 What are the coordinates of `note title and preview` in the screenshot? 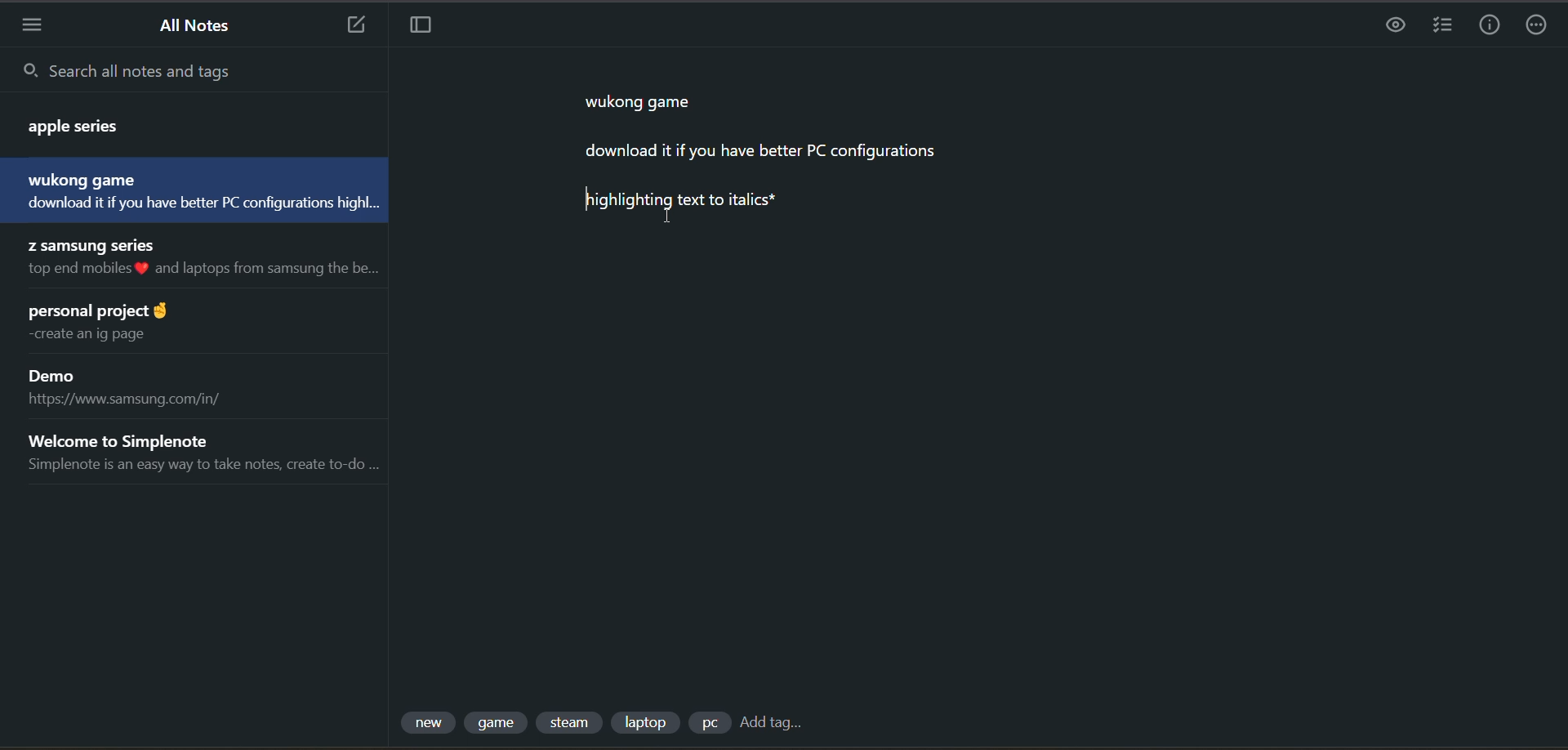 It's located at (209, 261).